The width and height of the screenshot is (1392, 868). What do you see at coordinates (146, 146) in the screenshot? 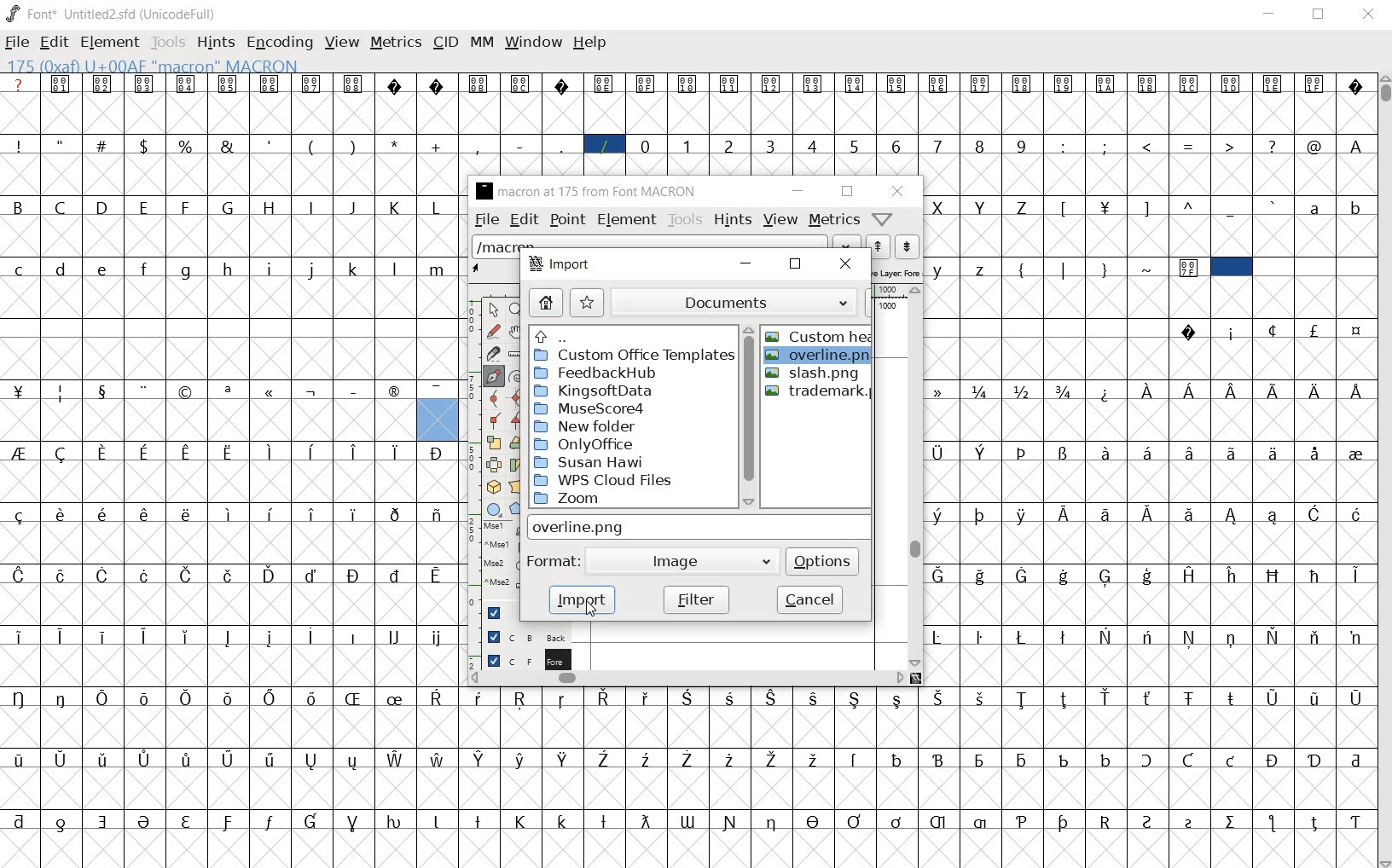
I see `$` at bounding box center [146, 146].